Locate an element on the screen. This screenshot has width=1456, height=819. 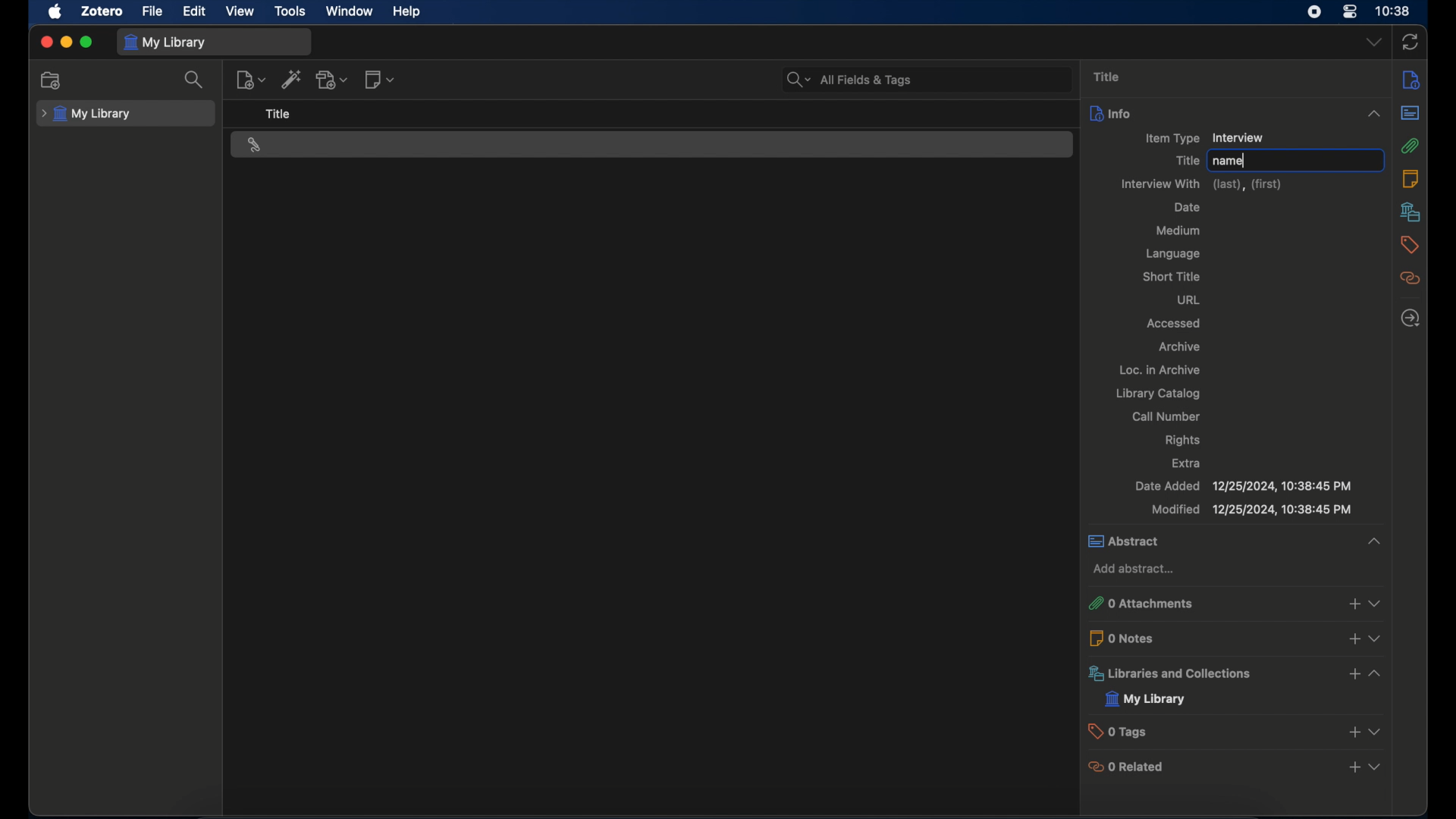
search is located at coordinates (194, 79).